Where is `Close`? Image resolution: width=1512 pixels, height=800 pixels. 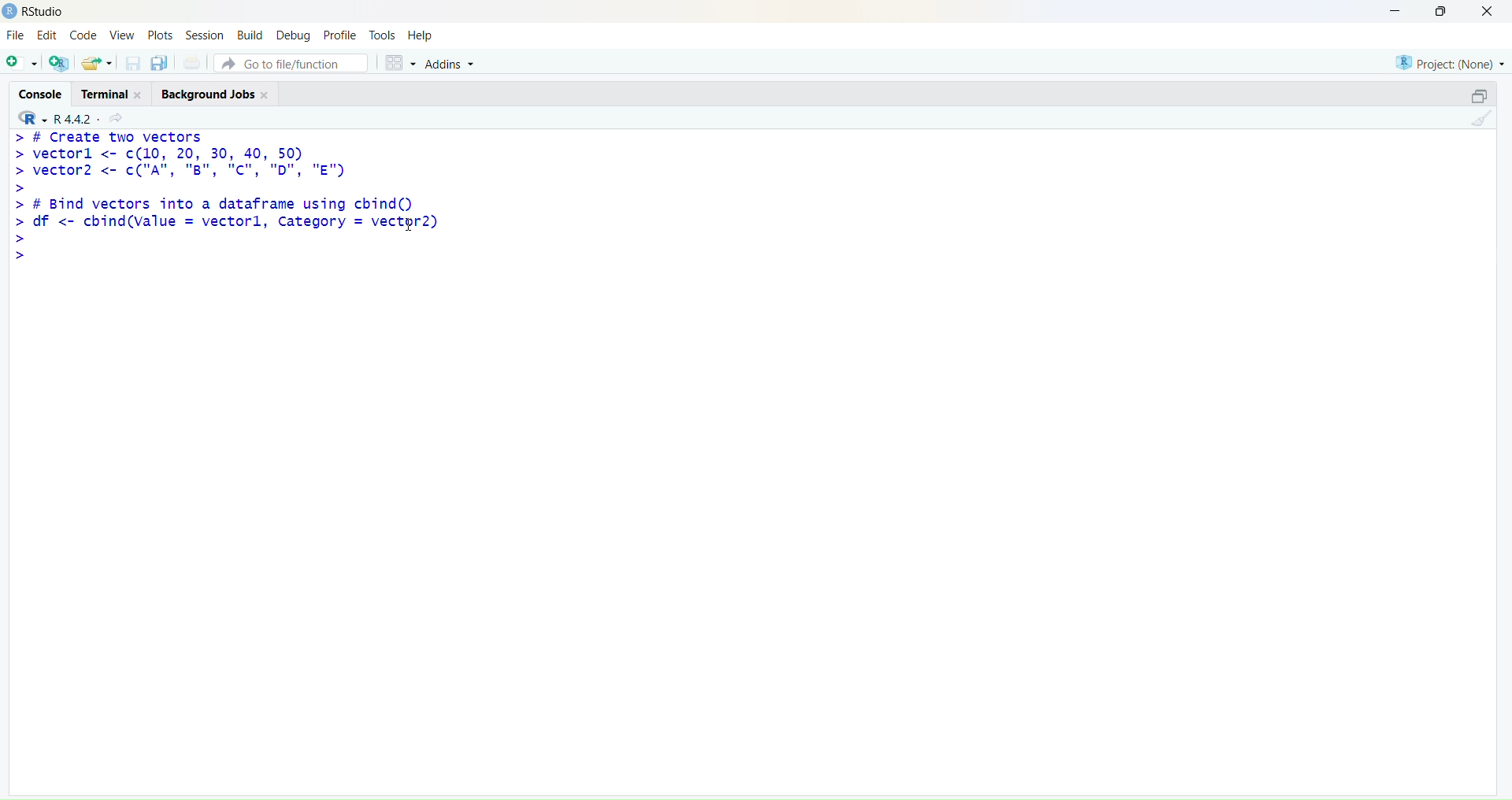 Close is located at coordinates (1488, 13).